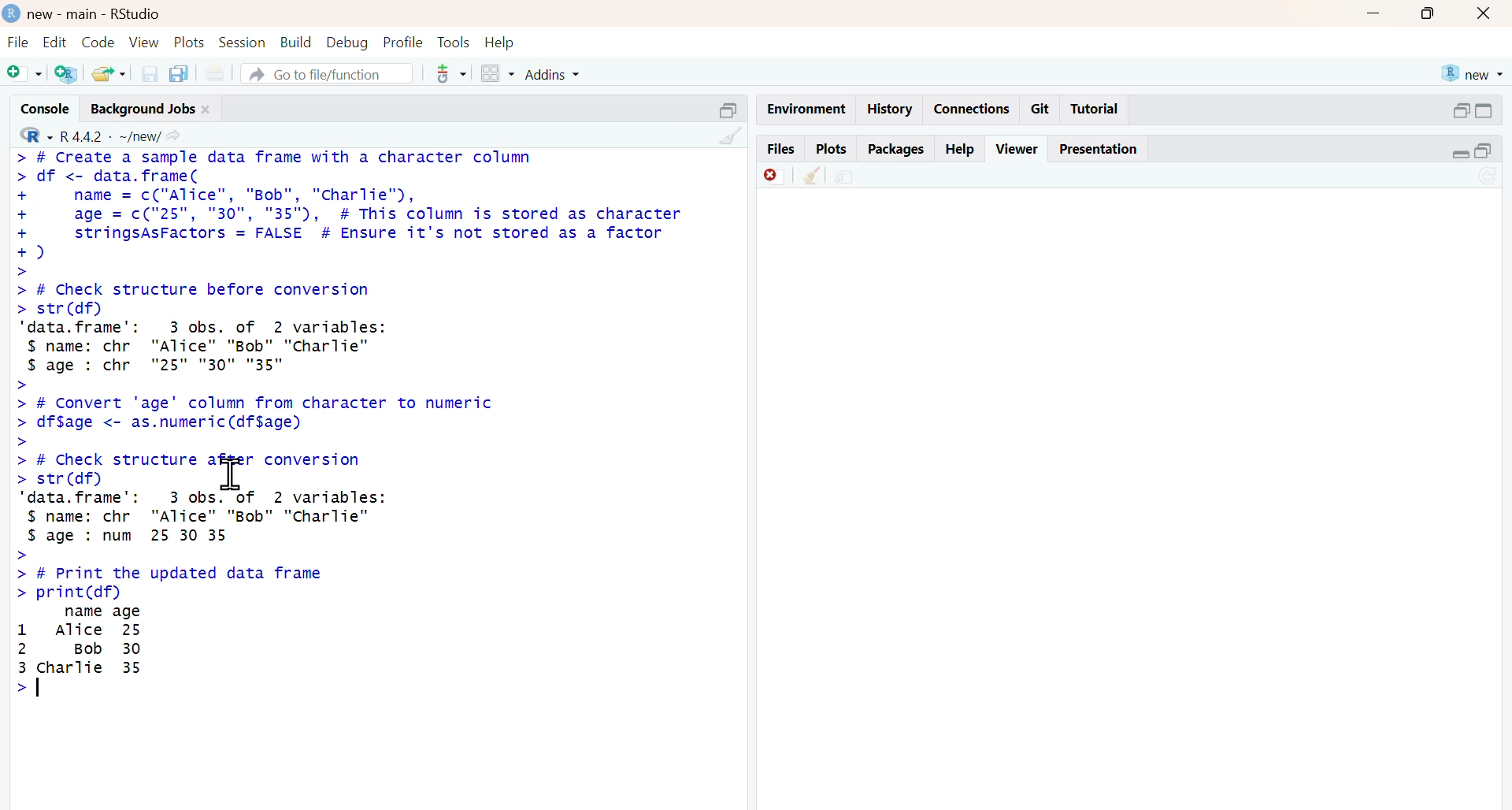  I want to click on close, so click(206, 110).